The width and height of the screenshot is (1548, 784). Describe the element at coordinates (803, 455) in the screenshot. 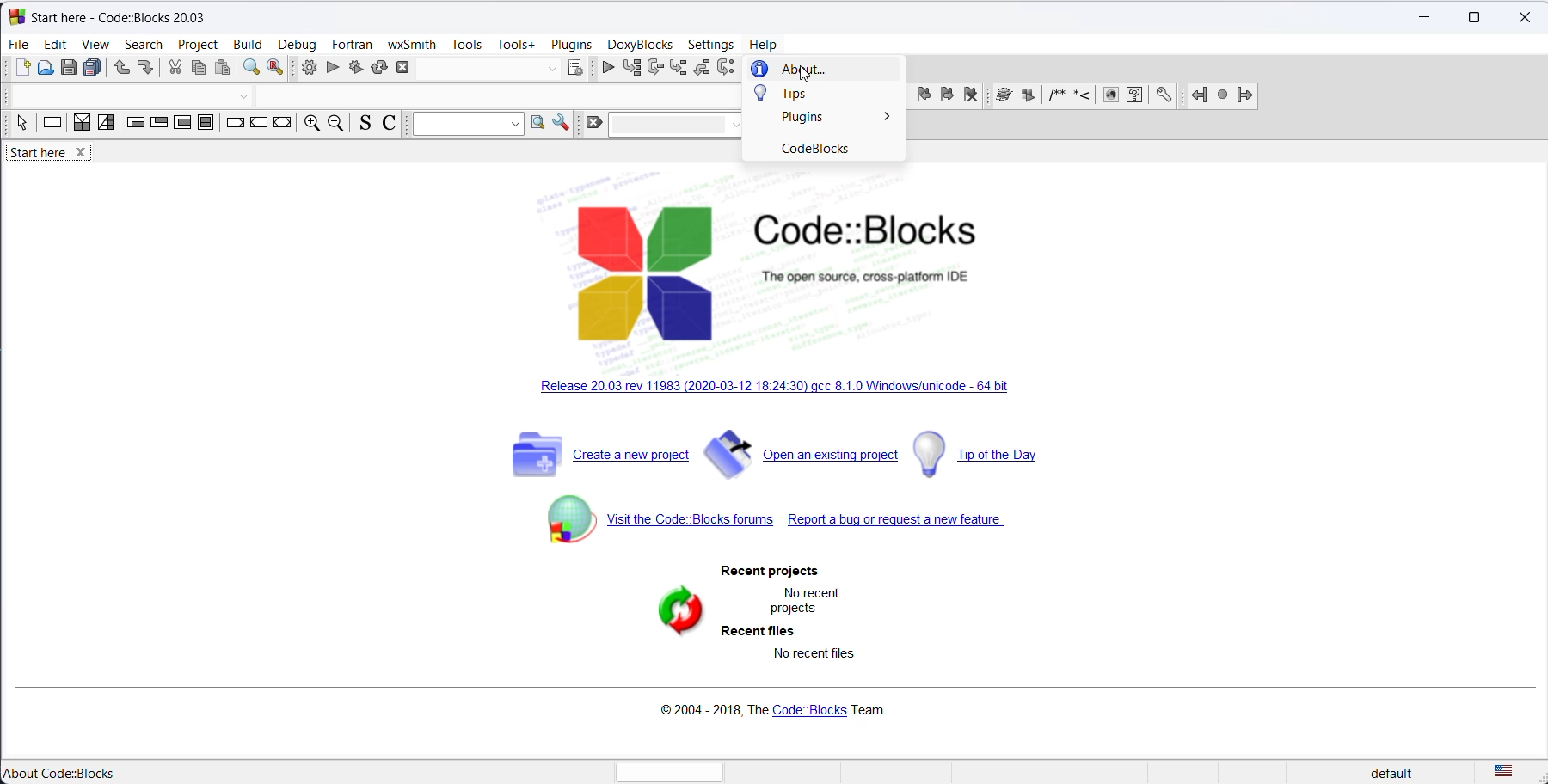

I see `open existing project` at that location.